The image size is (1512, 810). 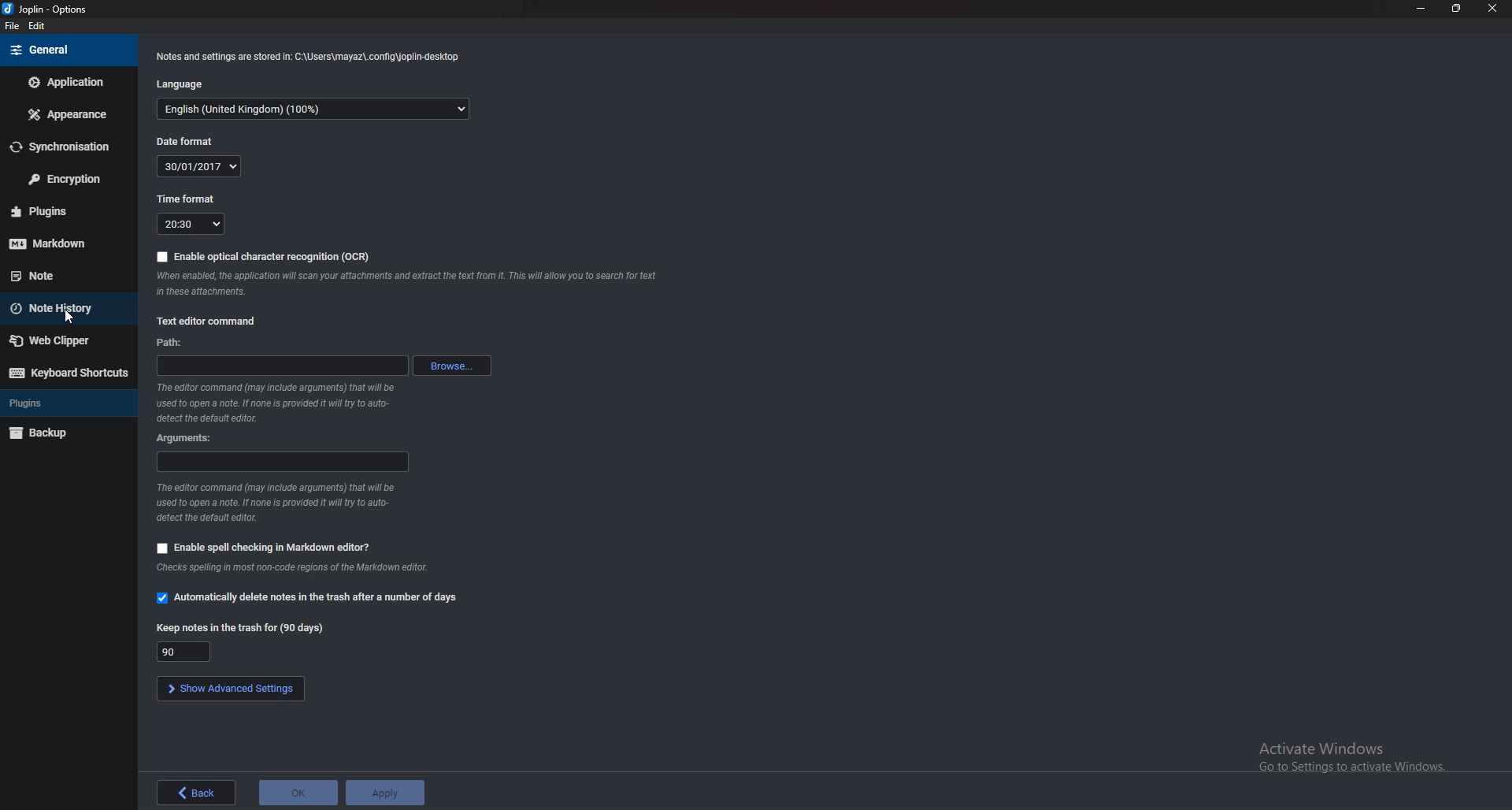 I want to click on Encryption, so click(x=66, y=178).